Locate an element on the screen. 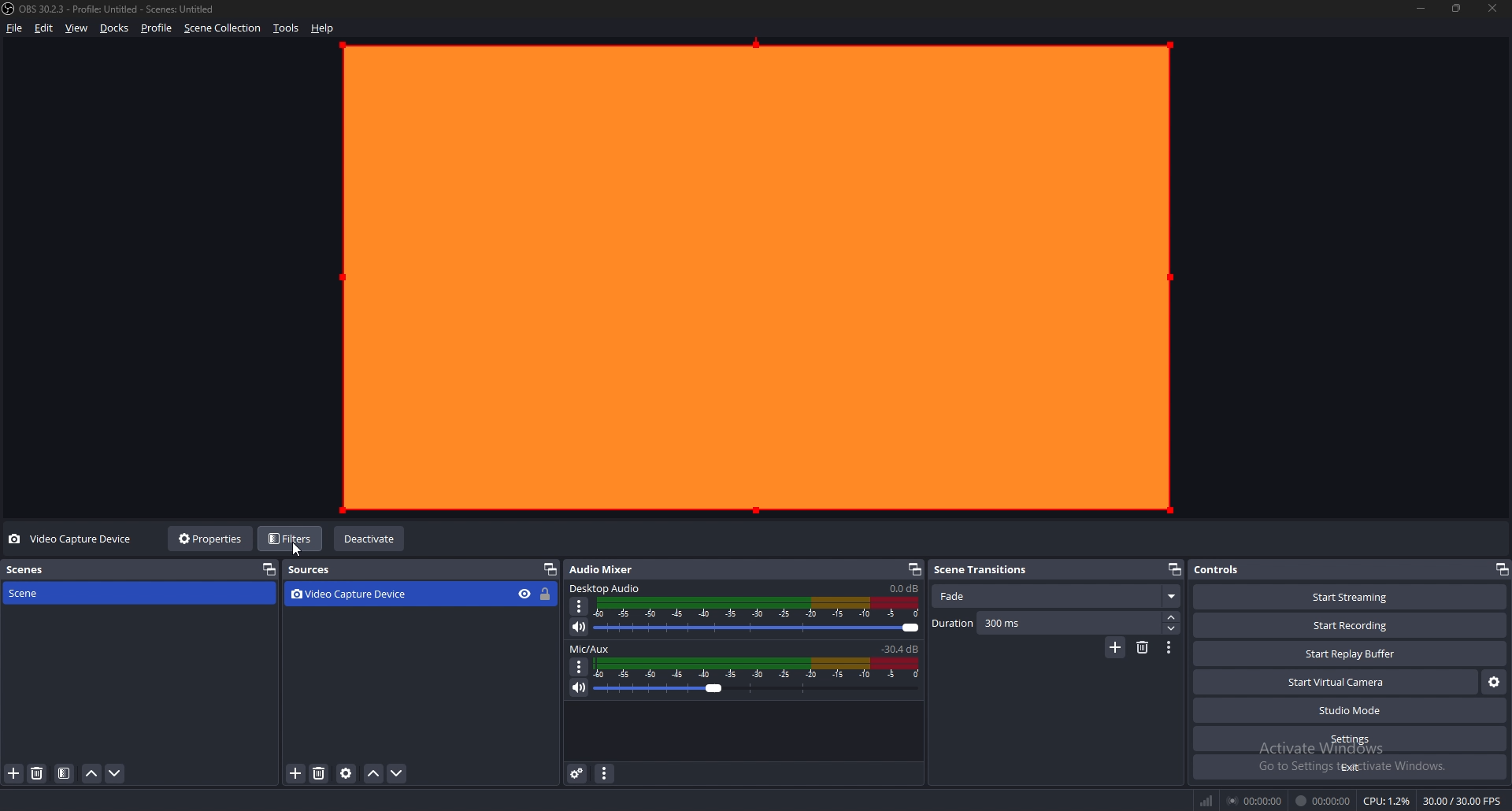 Image resolution: width=1512 pixels, height=811 pixels. controls is located at coordinates (1227, 569).